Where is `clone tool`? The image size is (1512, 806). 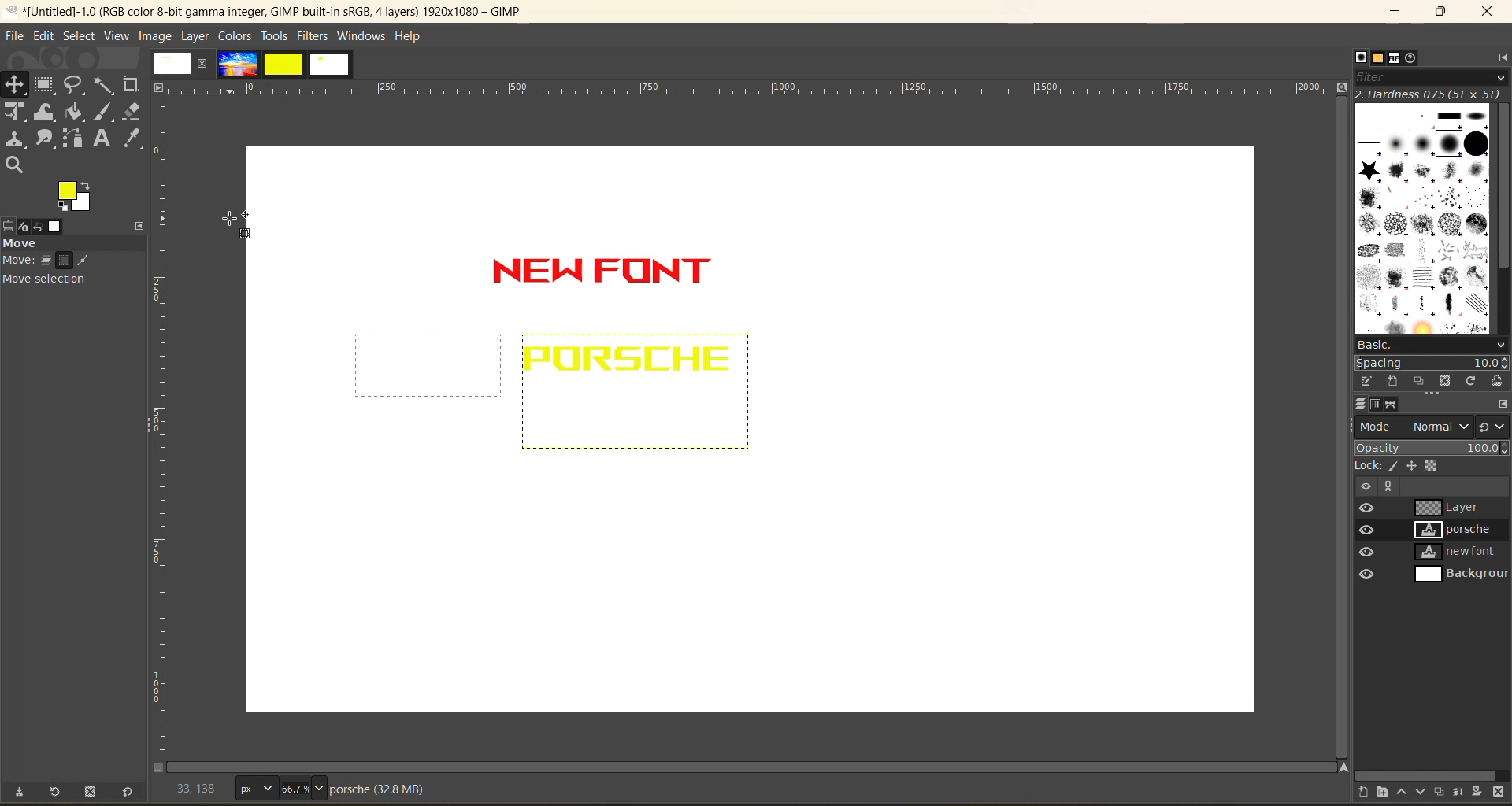
clone tool is located at coordinates (16, 140).